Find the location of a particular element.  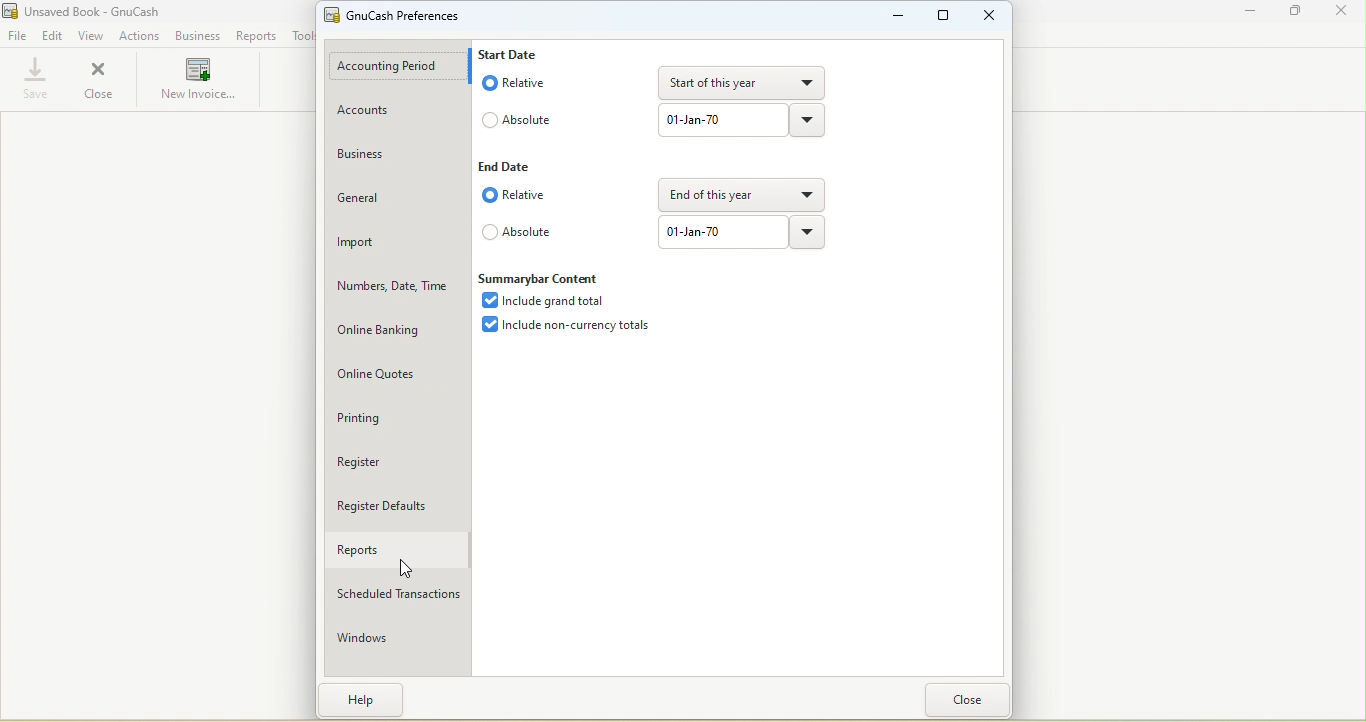

Relative is located at coordinates (519, 81).